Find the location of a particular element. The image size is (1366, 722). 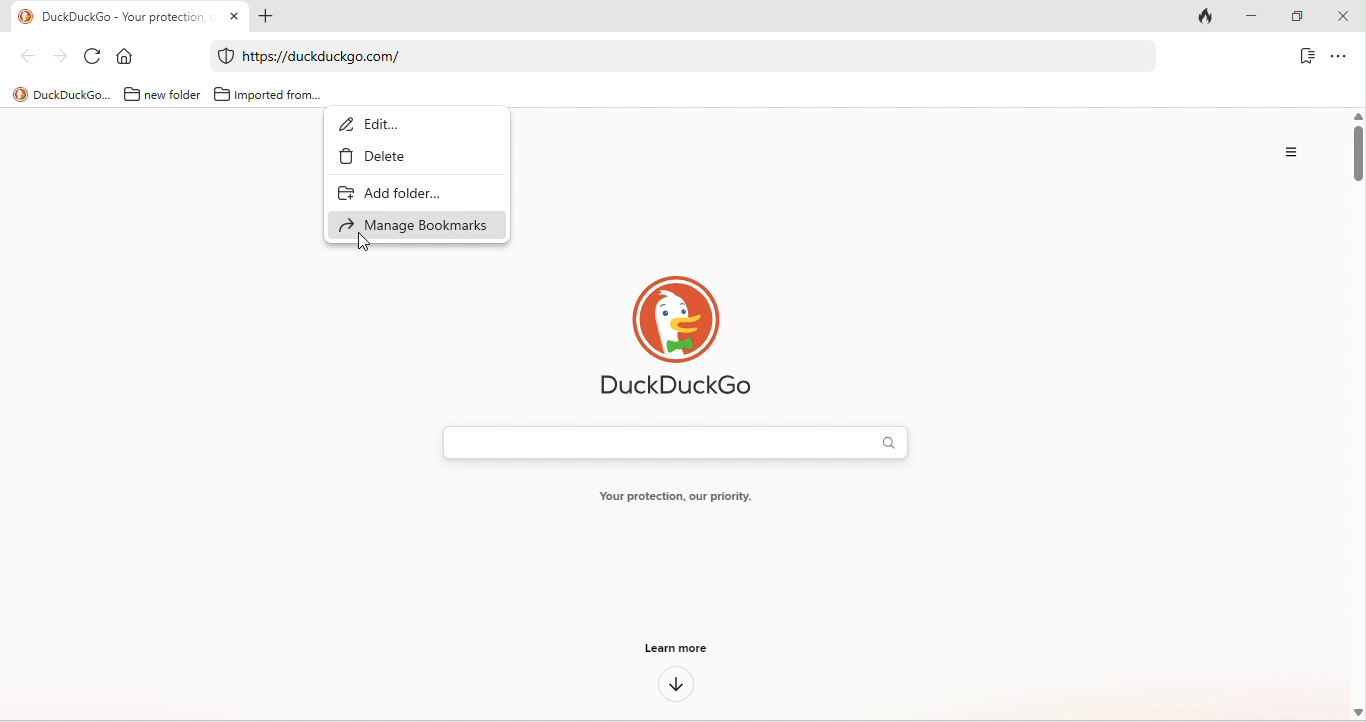

cursor movement is located at coordinates (368, 242).